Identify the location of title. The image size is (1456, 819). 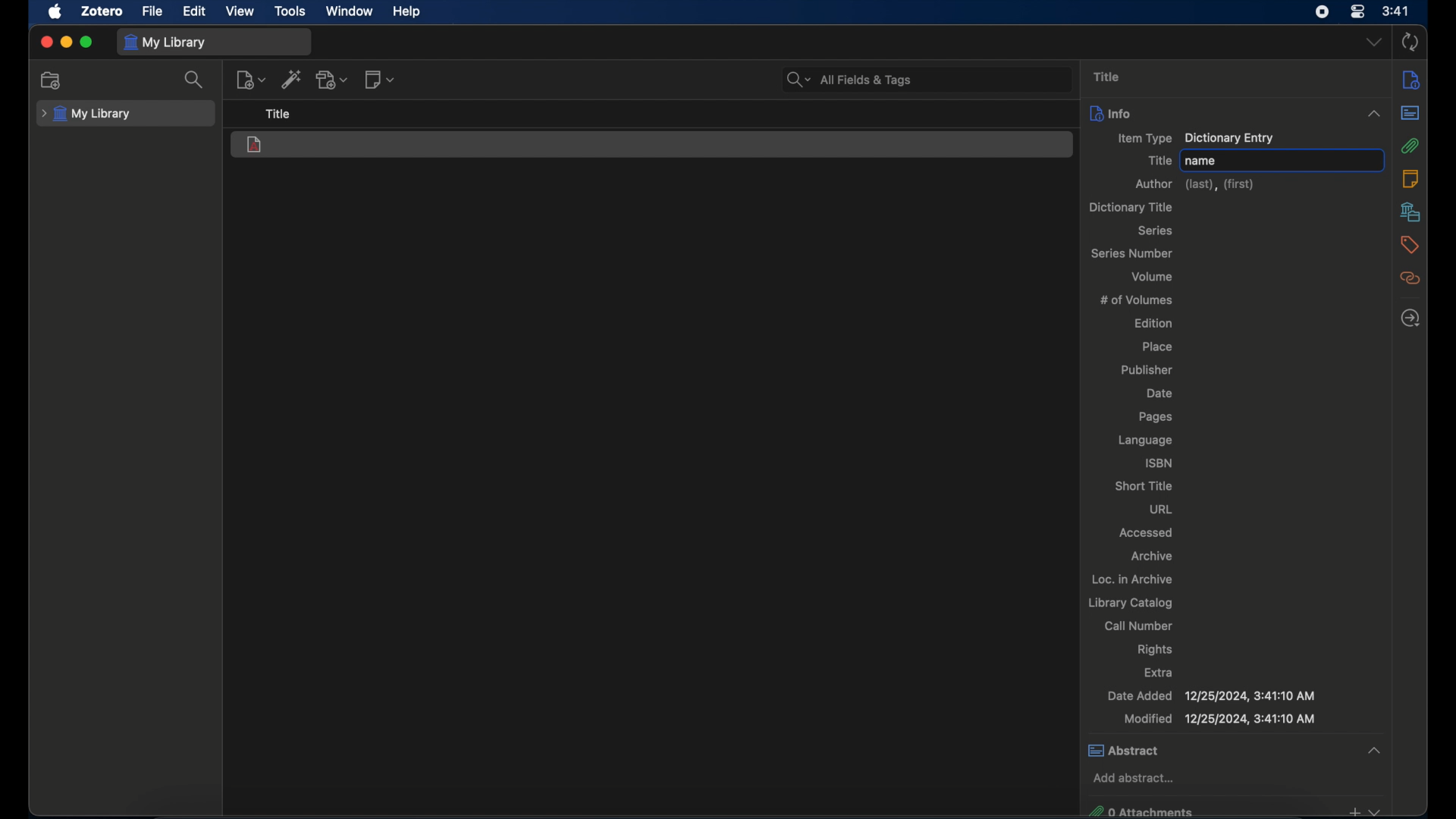
(1159, 161).